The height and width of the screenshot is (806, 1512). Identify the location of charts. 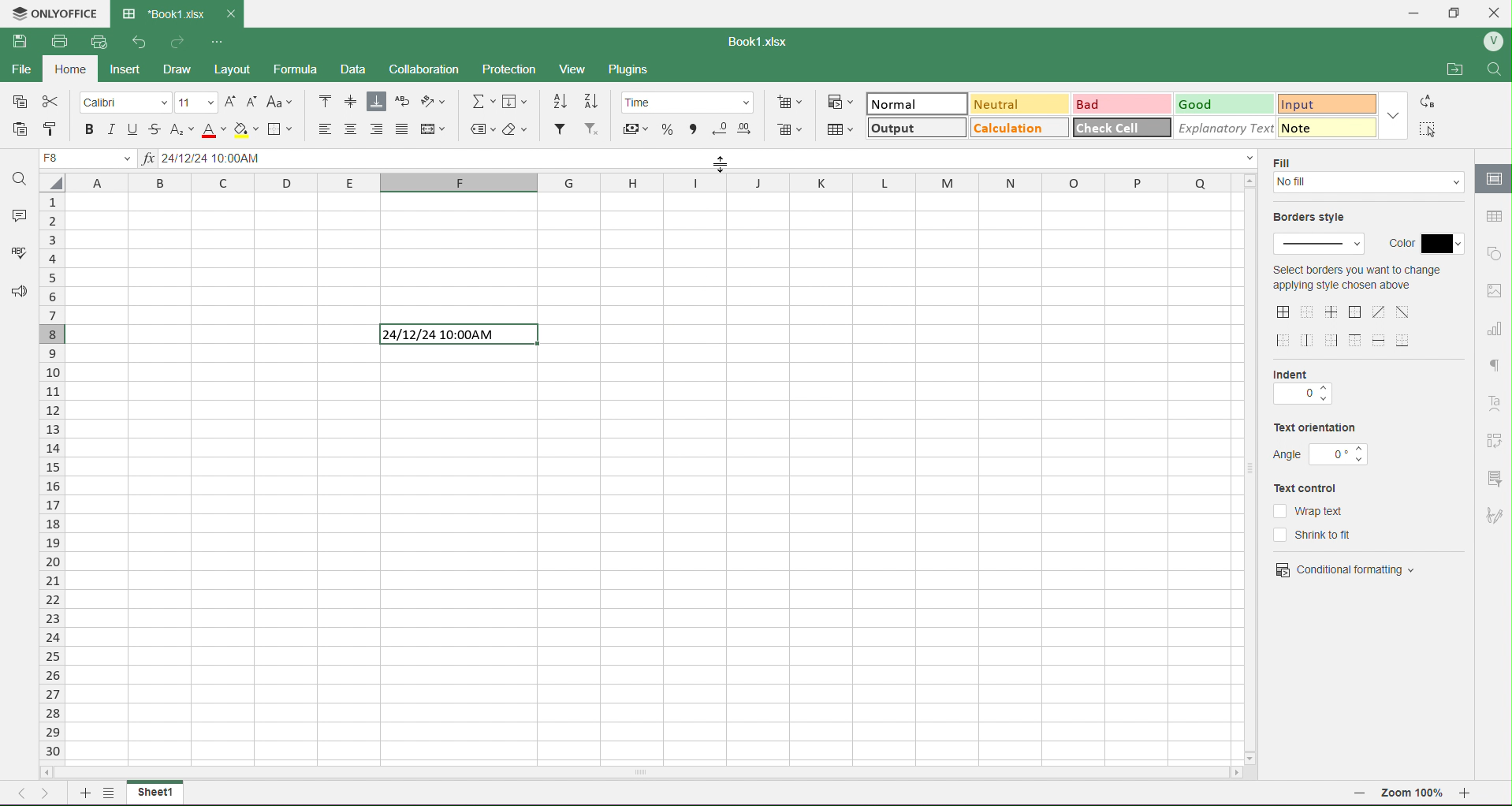
(1495, 330).